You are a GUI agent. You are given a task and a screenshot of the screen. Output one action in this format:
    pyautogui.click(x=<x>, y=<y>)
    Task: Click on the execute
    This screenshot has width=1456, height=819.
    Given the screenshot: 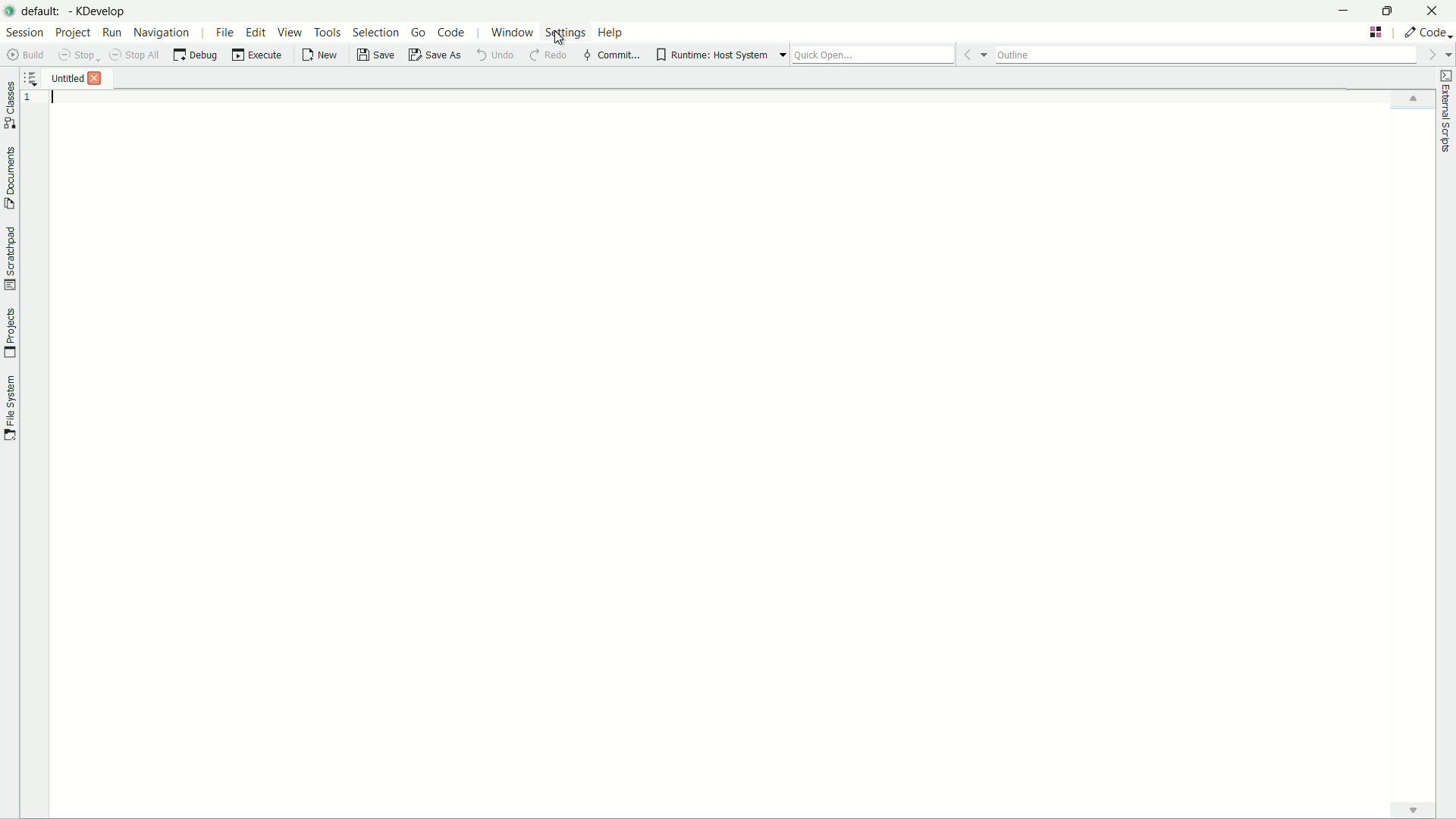 What is the action you would take?
    pyautogui.click(x=258, y=55)
    